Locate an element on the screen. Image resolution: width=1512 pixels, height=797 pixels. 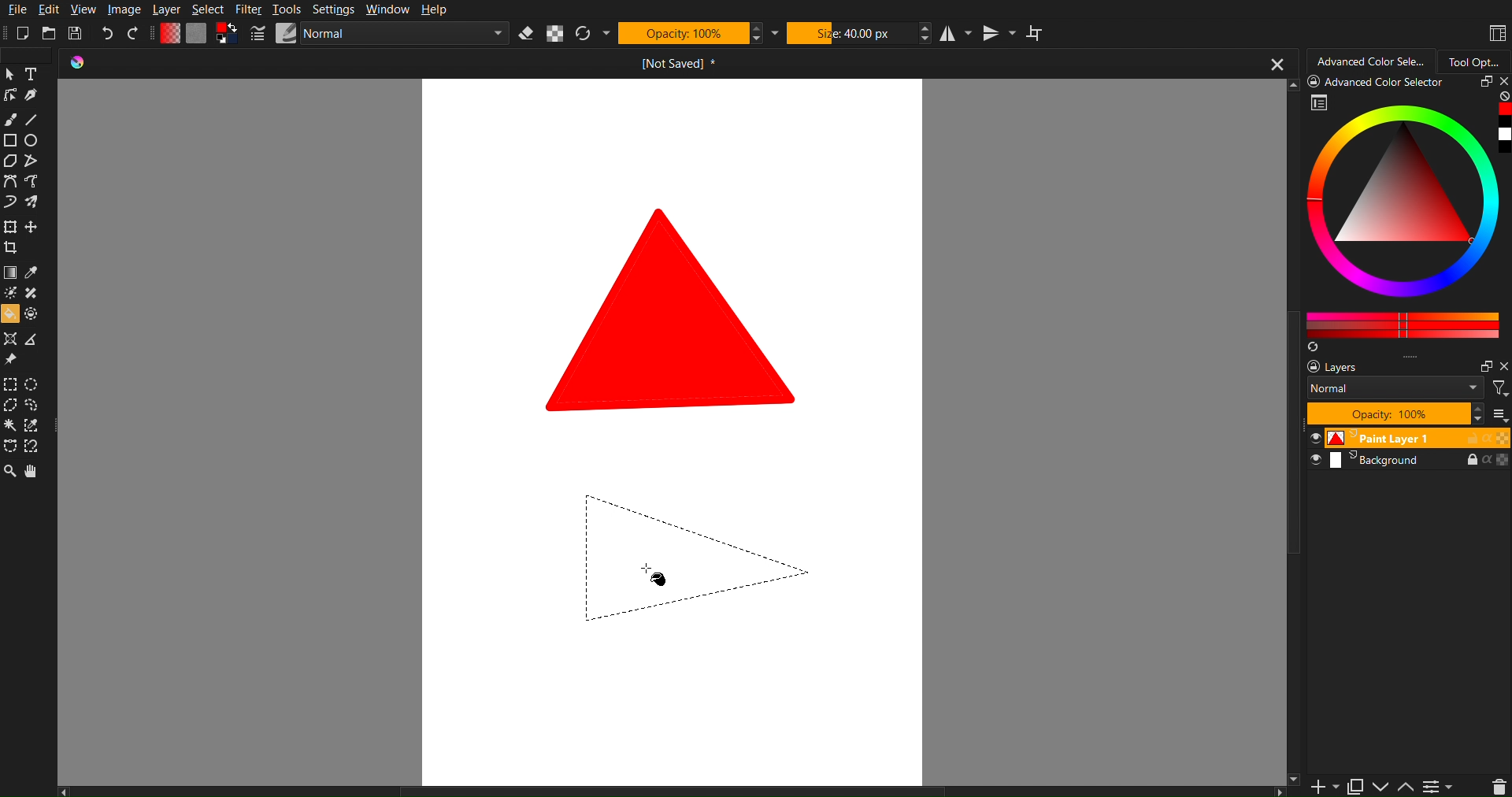
Polygon is located at coordinates (9, 161).